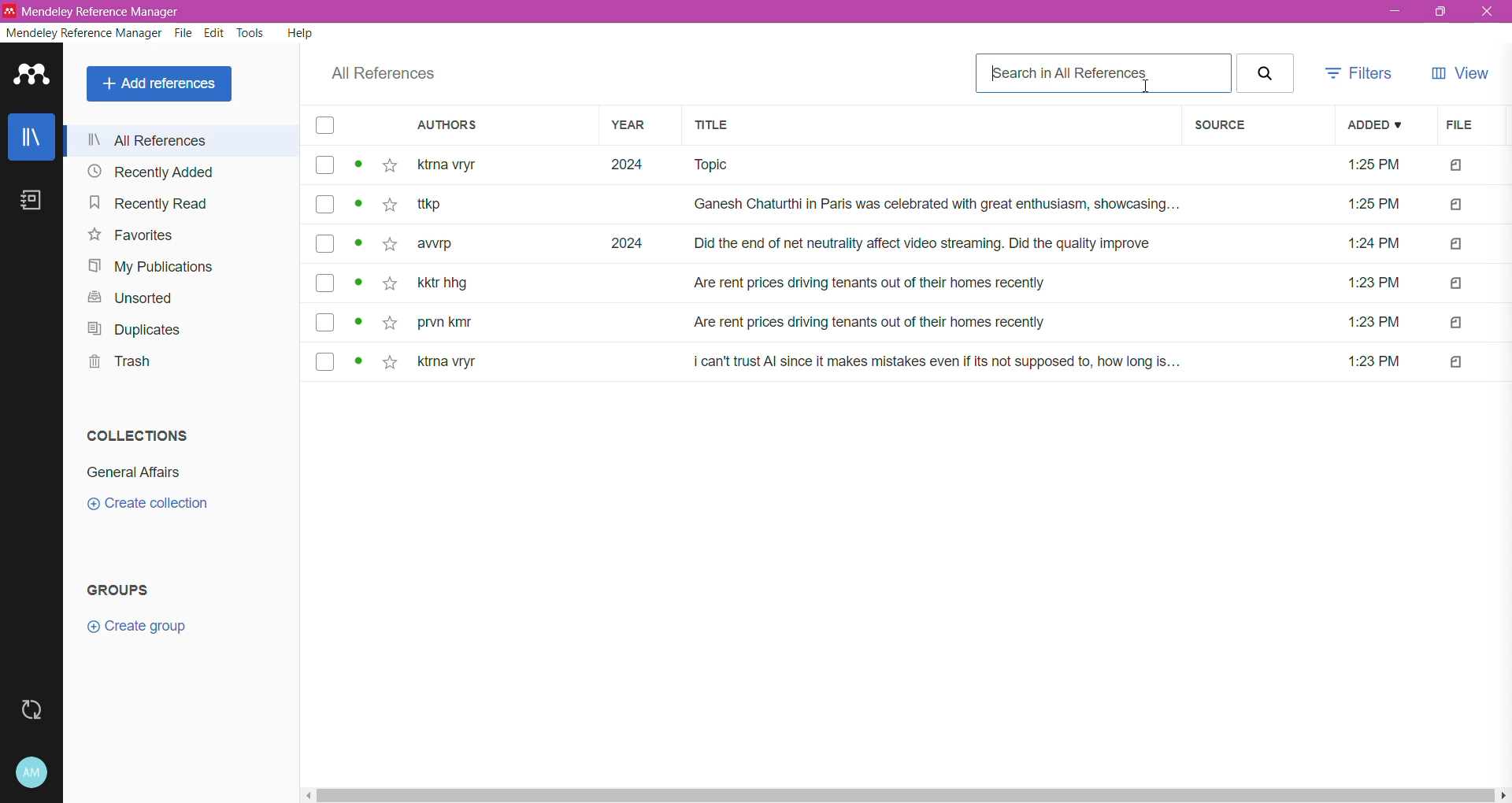 The height and width of the screenshot is (803, 1512). Describe the element at coordinates (216, 35) in the screenshot. I see `Edit` at that location.